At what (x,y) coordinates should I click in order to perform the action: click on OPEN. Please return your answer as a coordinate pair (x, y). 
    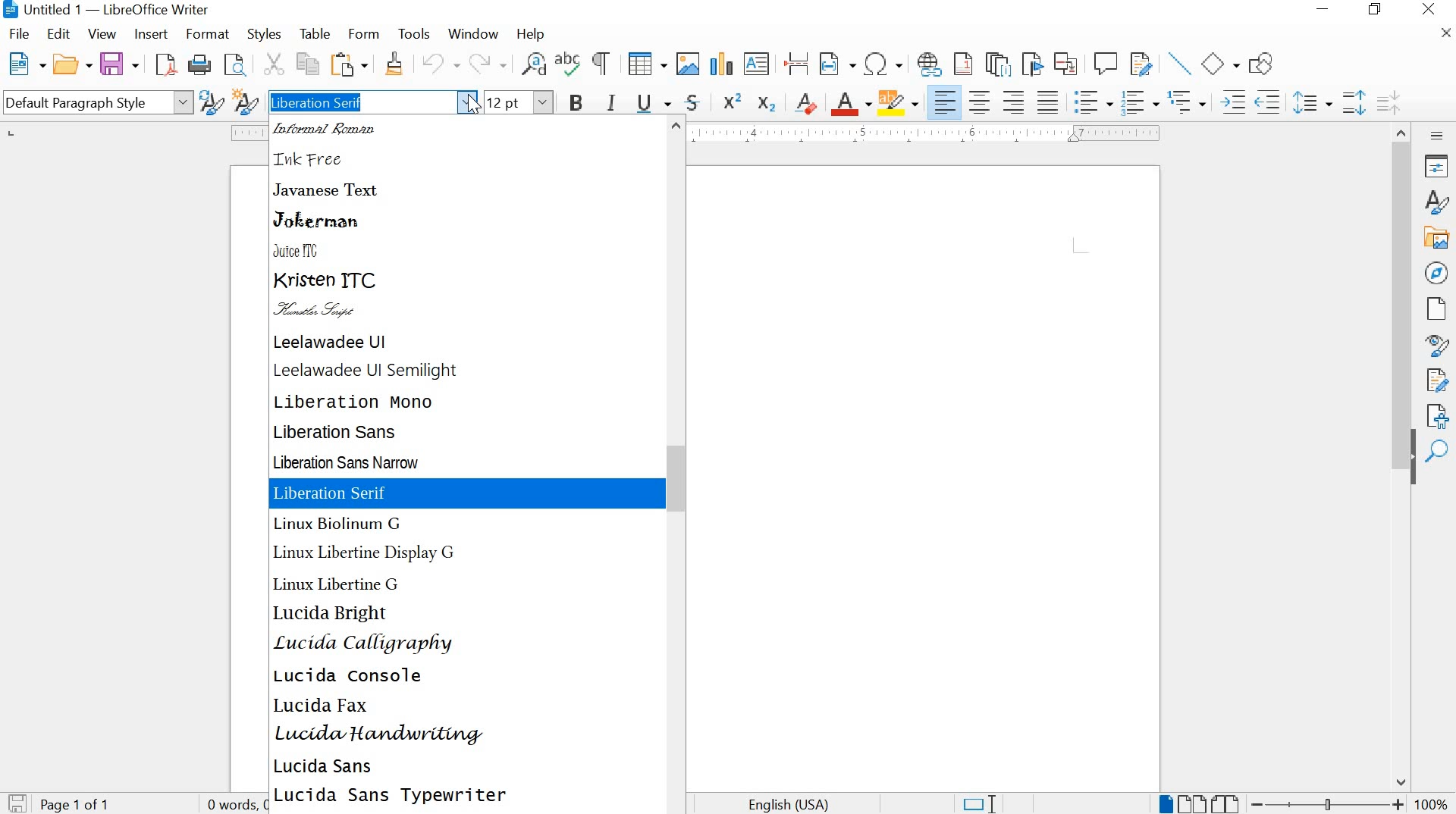
    Looking at the image, I should click on (71, 64).